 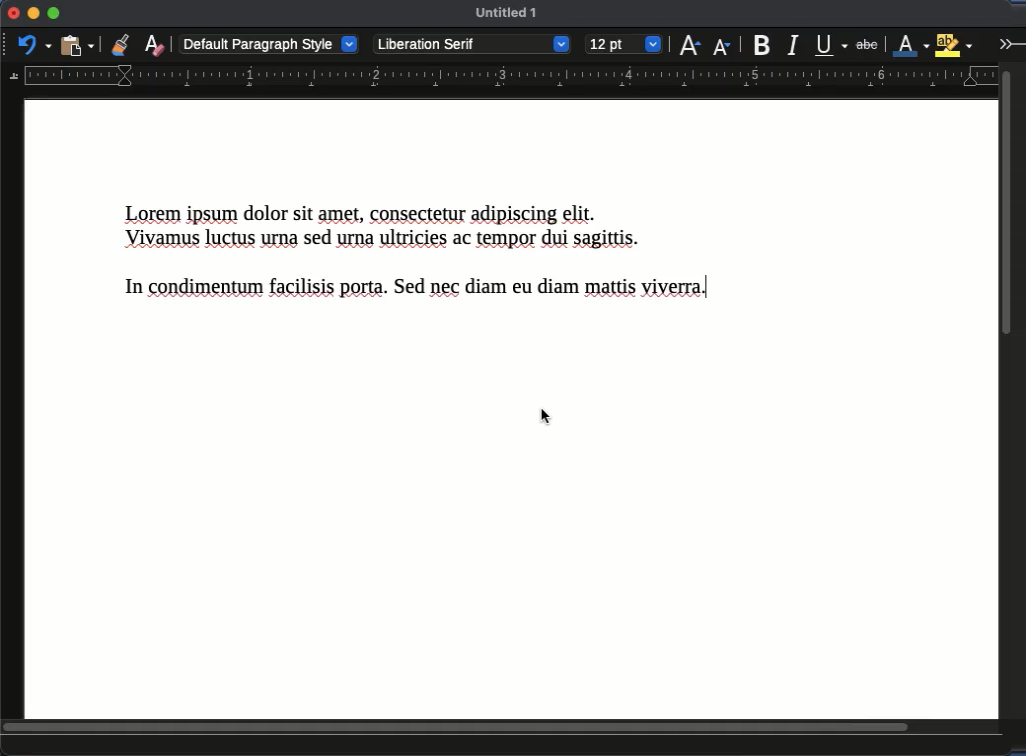 I want to click on clear formatting, so click(x=154, y=44).